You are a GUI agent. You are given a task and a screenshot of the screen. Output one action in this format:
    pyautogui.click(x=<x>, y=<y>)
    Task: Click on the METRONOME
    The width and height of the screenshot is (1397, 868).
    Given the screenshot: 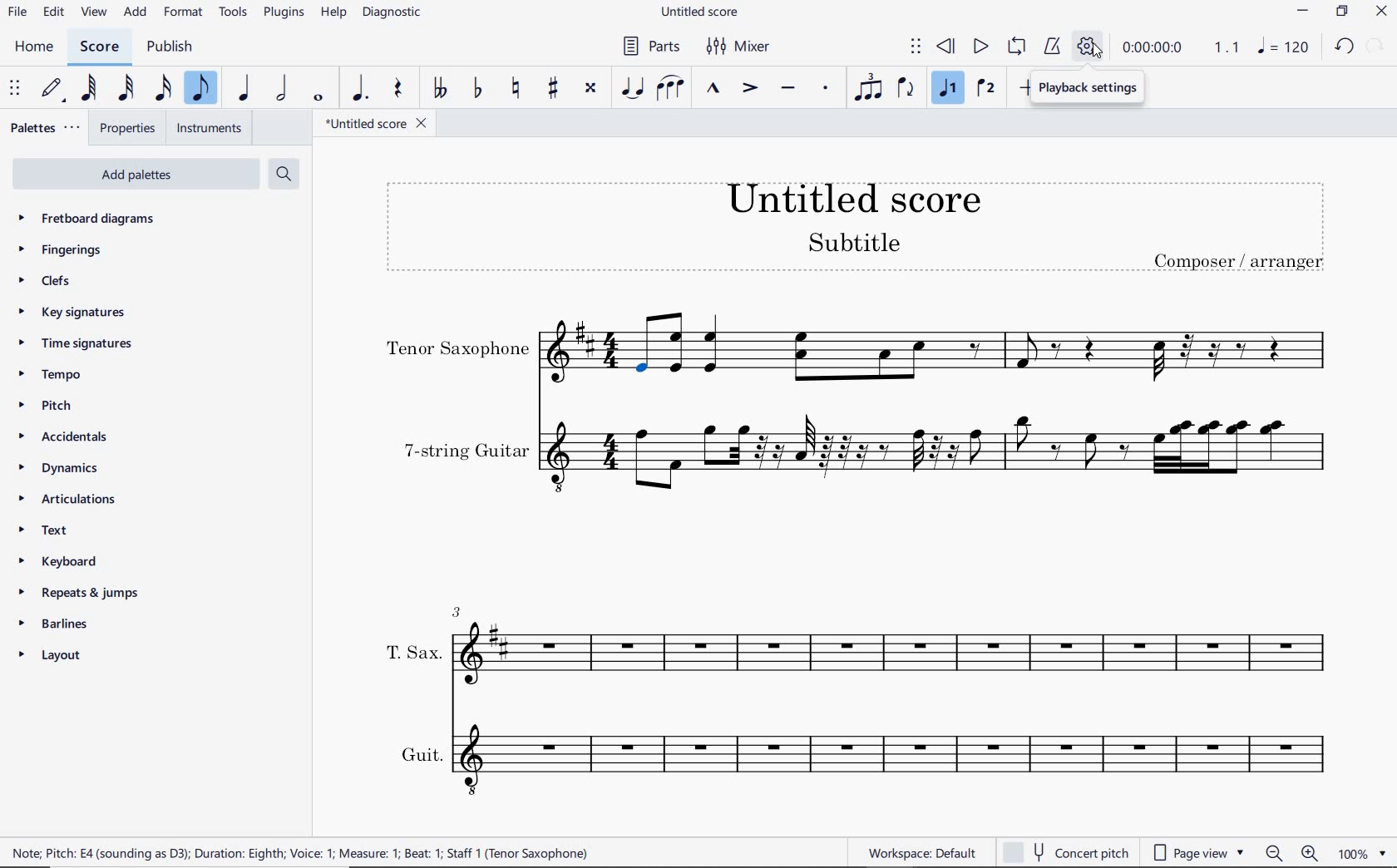 What is the action you would take?
    pyautogui.click(x=1052, y=45)
    